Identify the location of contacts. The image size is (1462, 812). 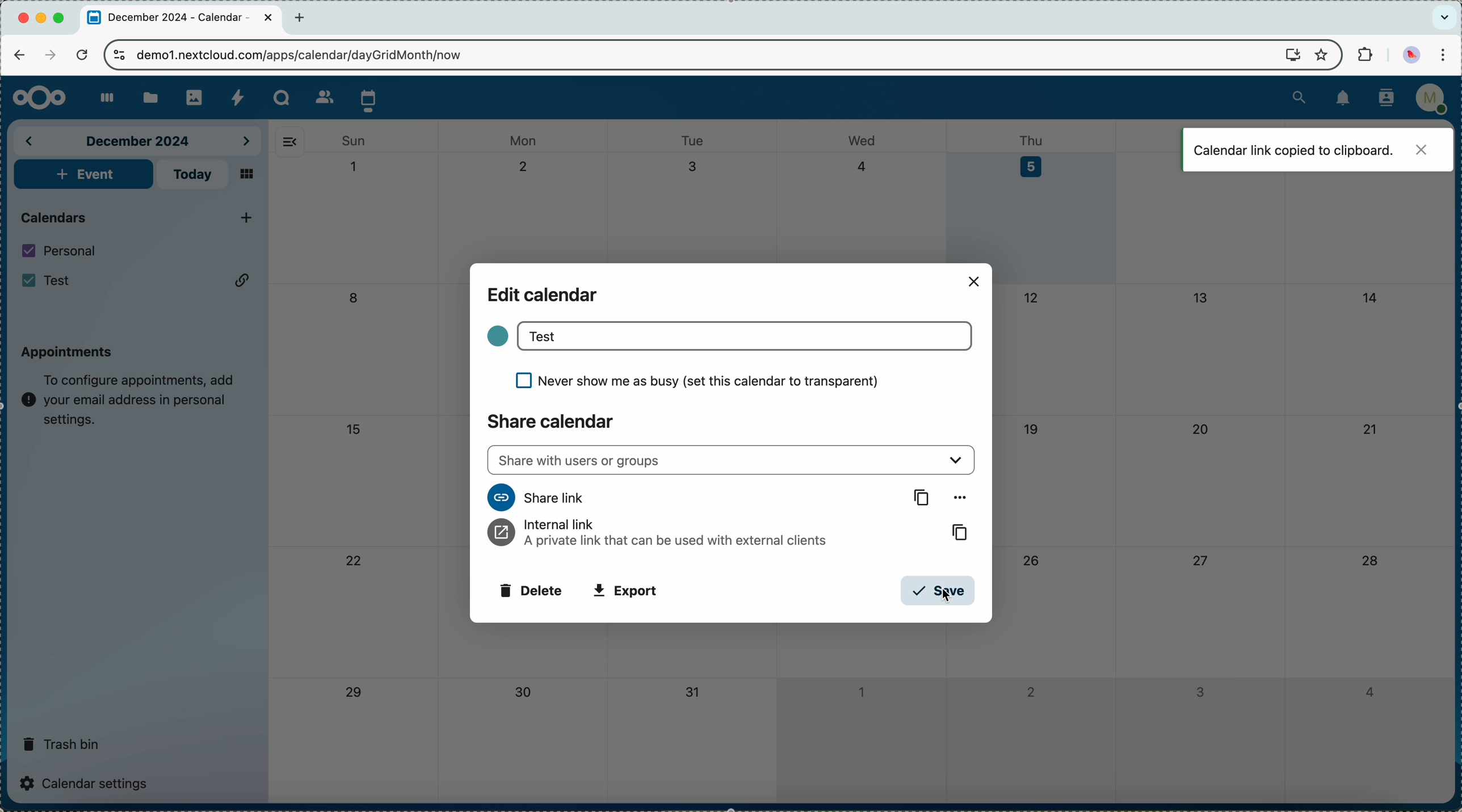
(1383, 99).